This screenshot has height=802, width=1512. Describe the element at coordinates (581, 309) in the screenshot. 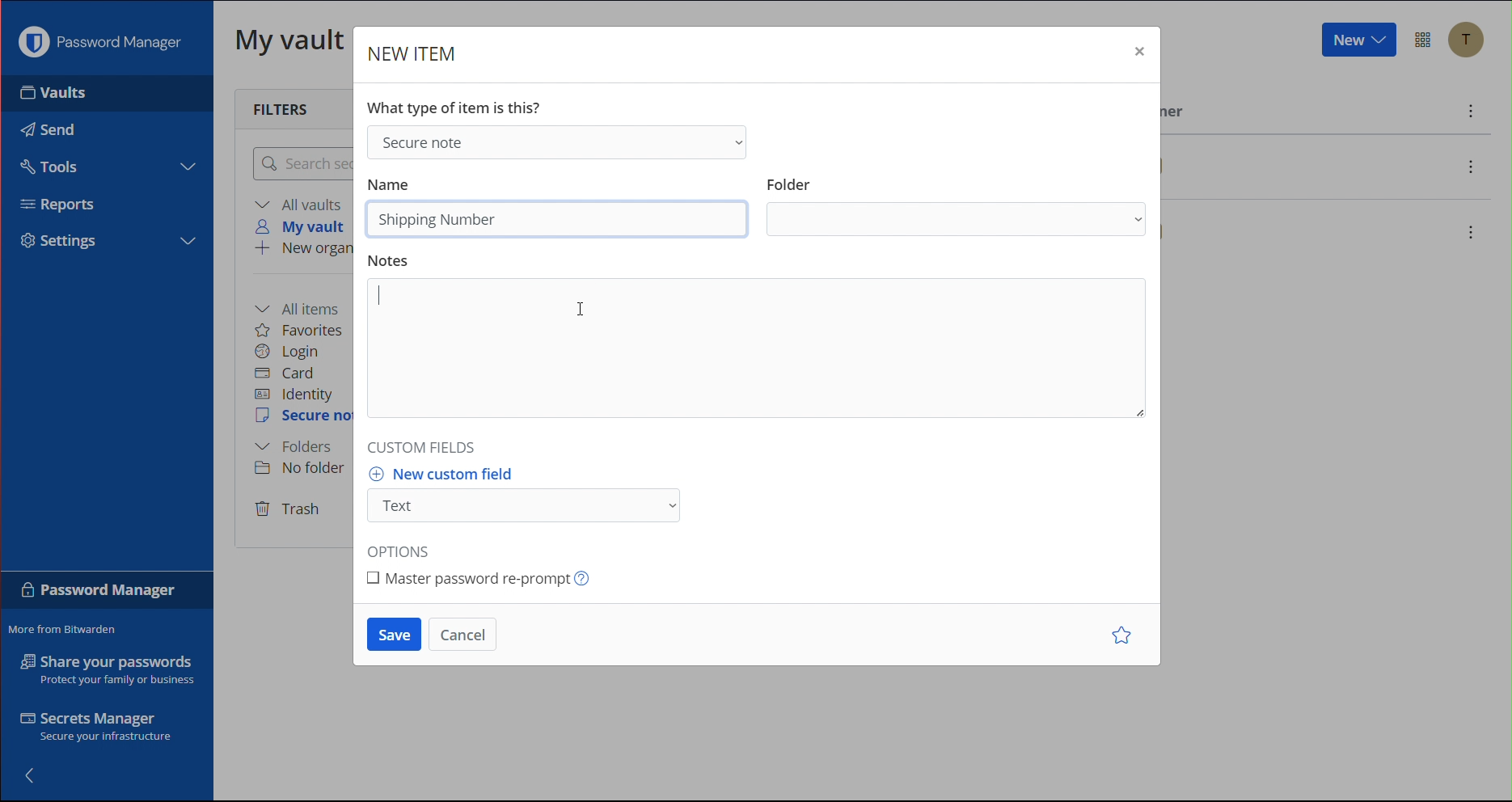

I see `Cursor` at that location.